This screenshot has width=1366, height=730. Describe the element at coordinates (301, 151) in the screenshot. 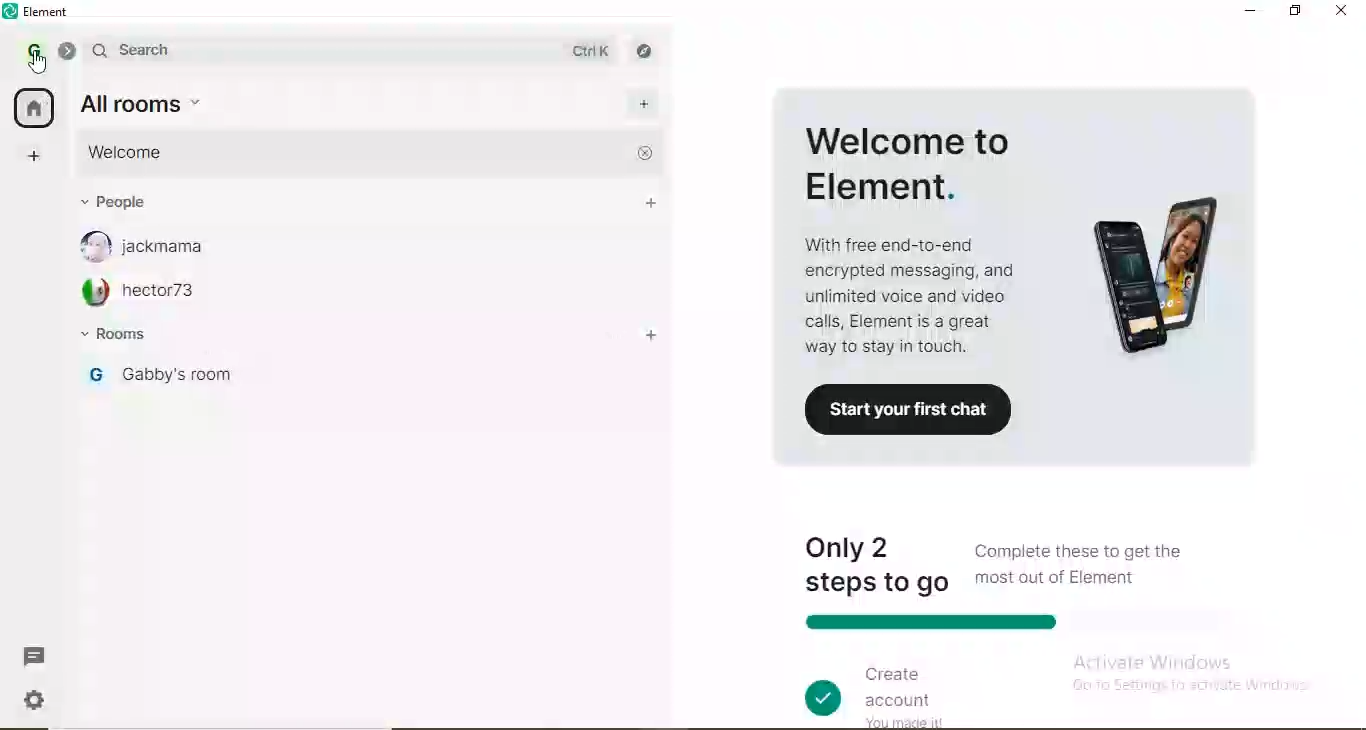

I see `welcome` at that location.